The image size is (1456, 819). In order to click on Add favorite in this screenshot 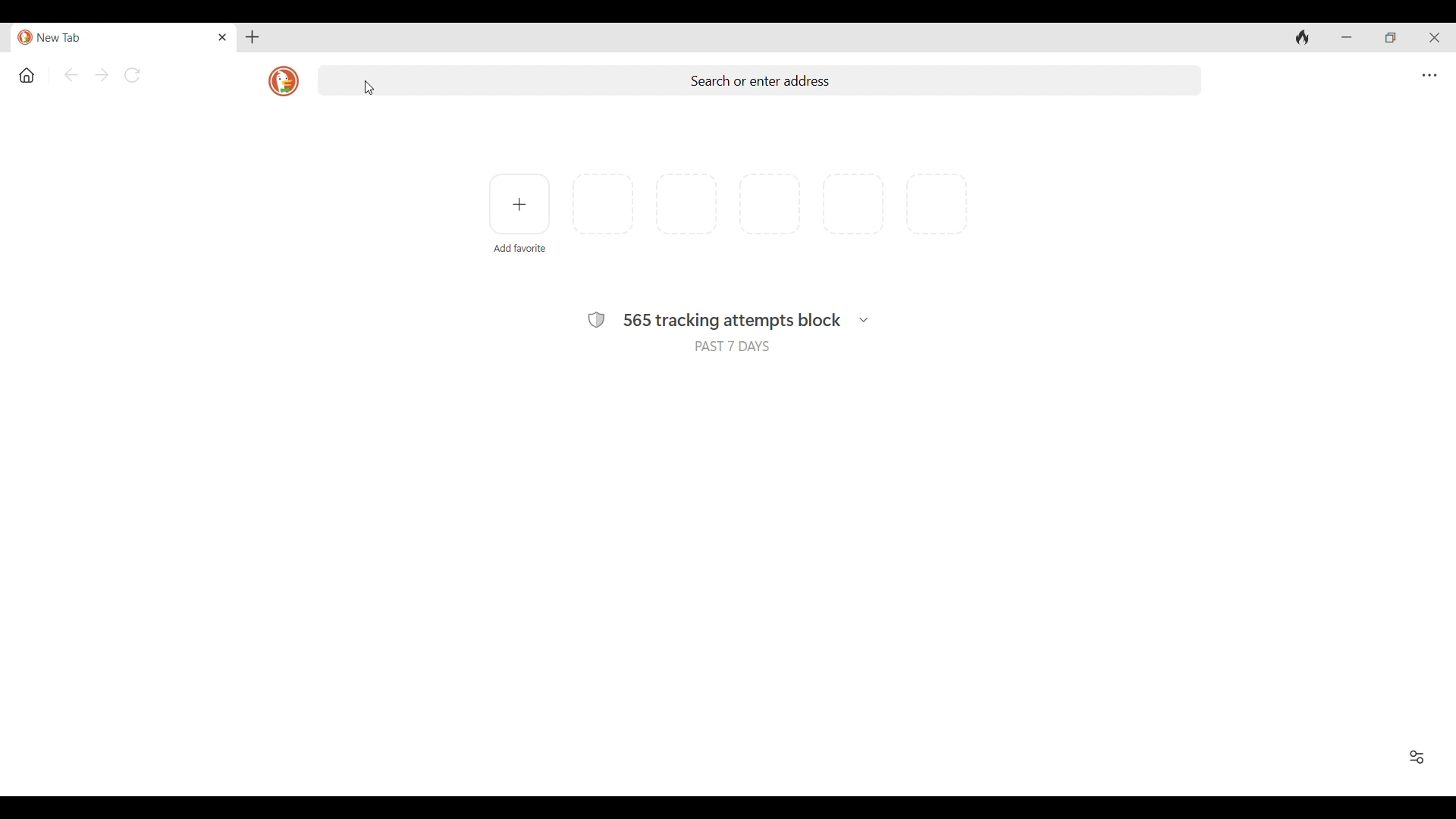, I will do `click(520, 249)`.